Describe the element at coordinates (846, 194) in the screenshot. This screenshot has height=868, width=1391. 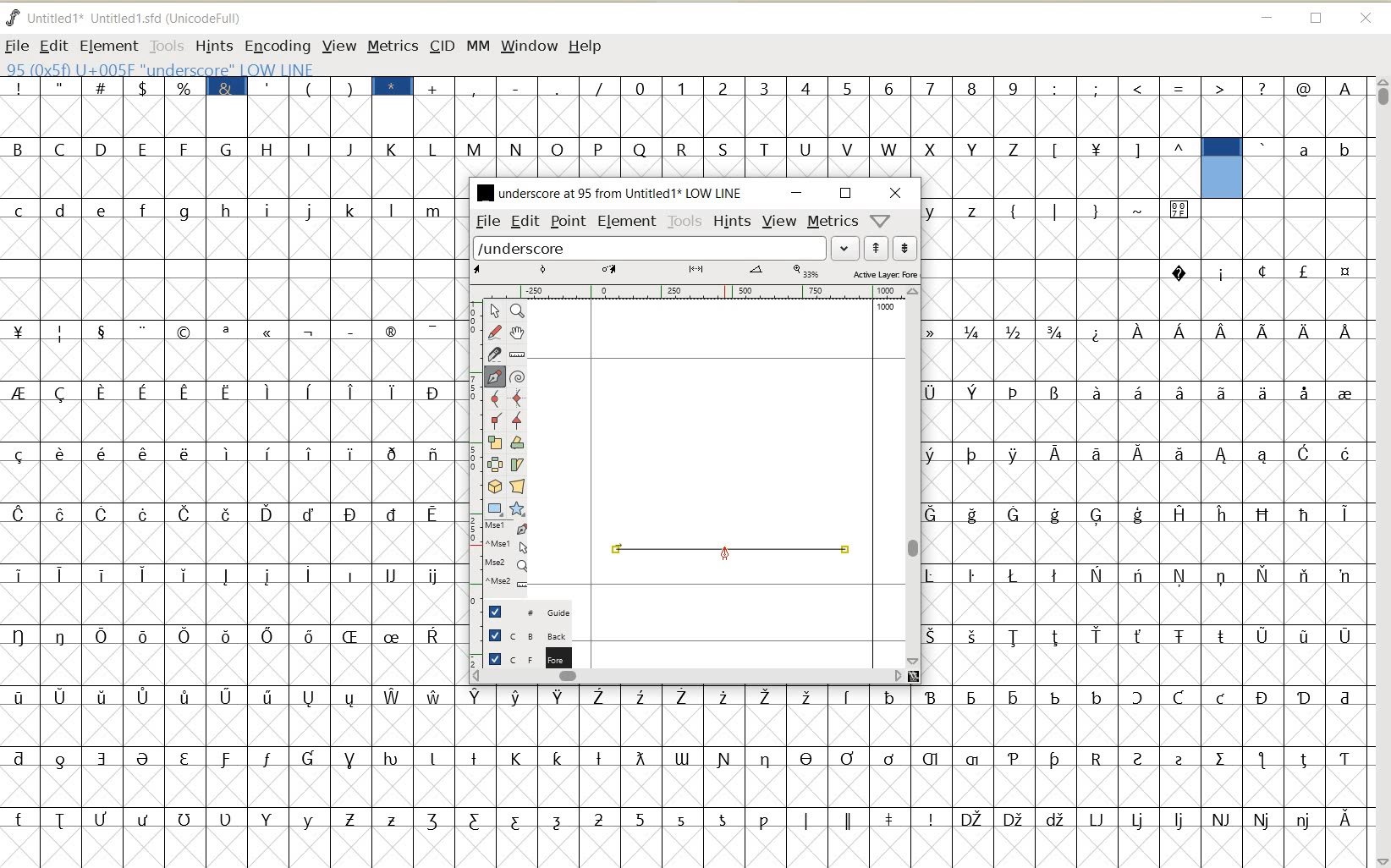
I see `RESTORE` at that location.